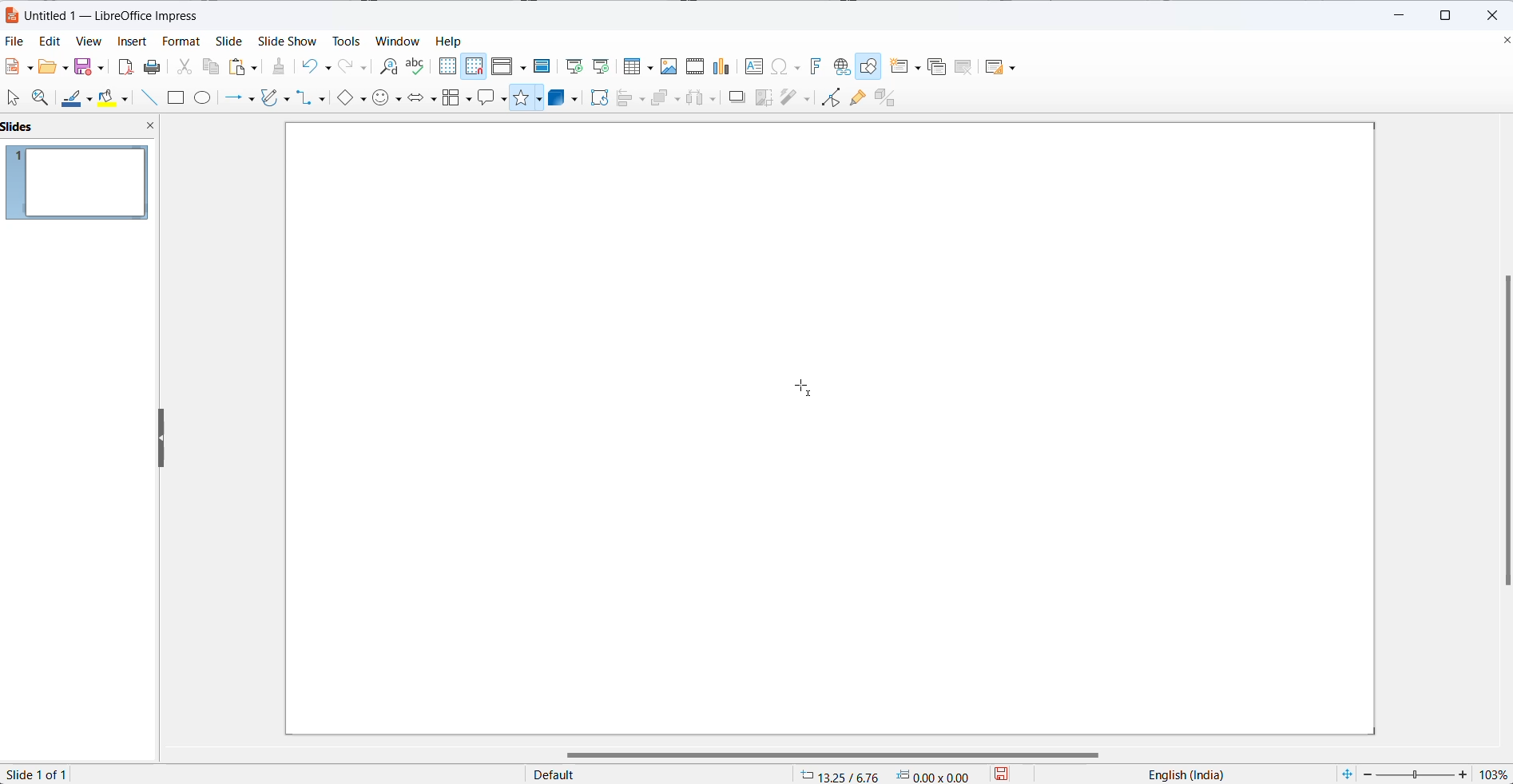 The height and width of the screenshot is (784, 1513). What do you see at coordinates (1496, 16) in the screenshot?
I see `close` at bounding box center [1496, 16].